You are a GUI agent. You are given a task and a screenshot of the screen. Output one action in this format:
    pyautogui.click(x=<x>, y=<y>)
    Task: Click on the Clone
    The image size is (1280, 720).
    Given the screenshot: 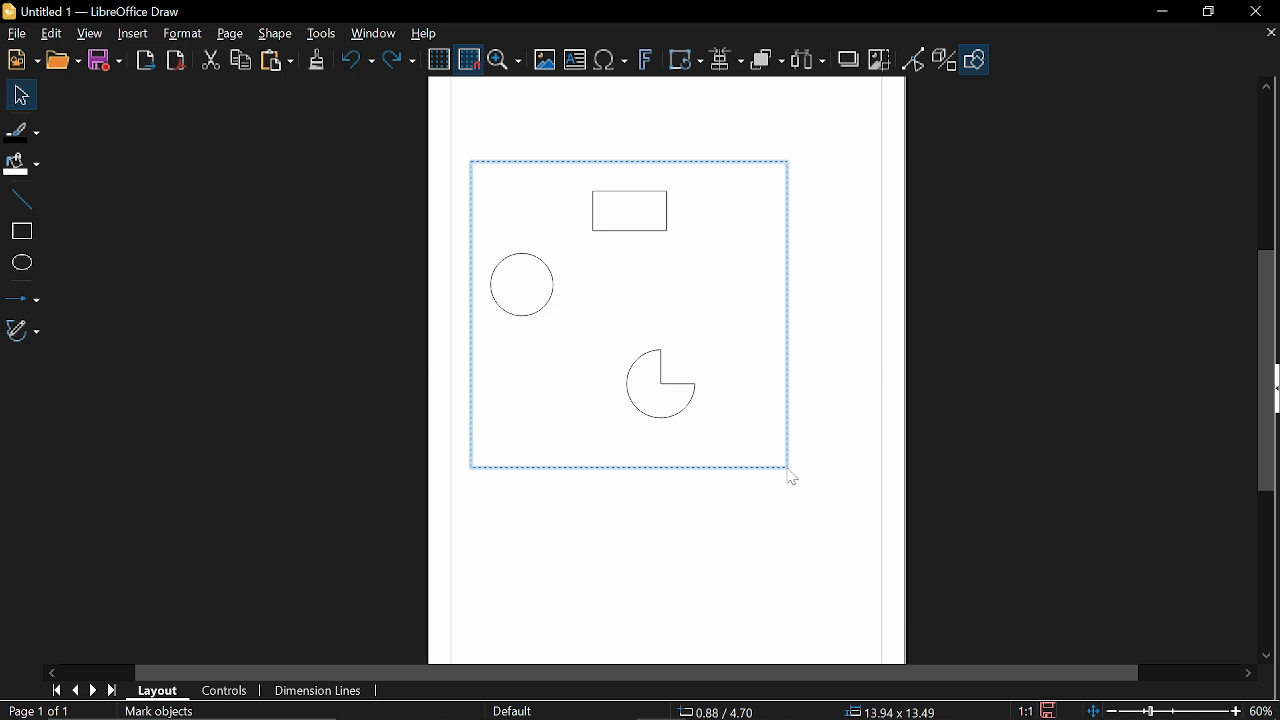 What is the action you would take?
    pyautogui.click(x=315, y=62)
    